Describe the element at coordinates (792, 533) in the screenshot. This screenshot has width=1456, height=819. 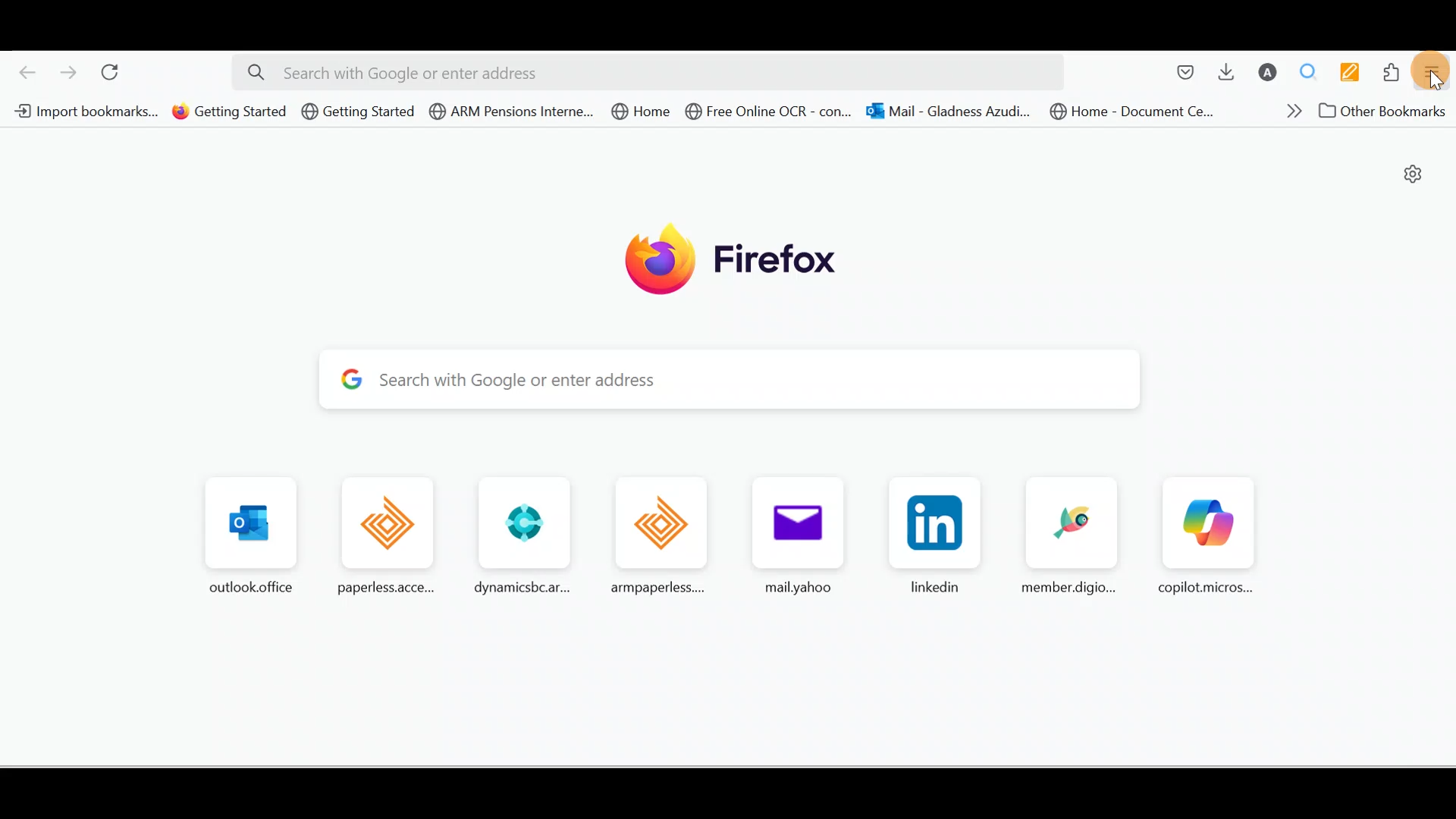
I see `Frequently browsed page` at that location.